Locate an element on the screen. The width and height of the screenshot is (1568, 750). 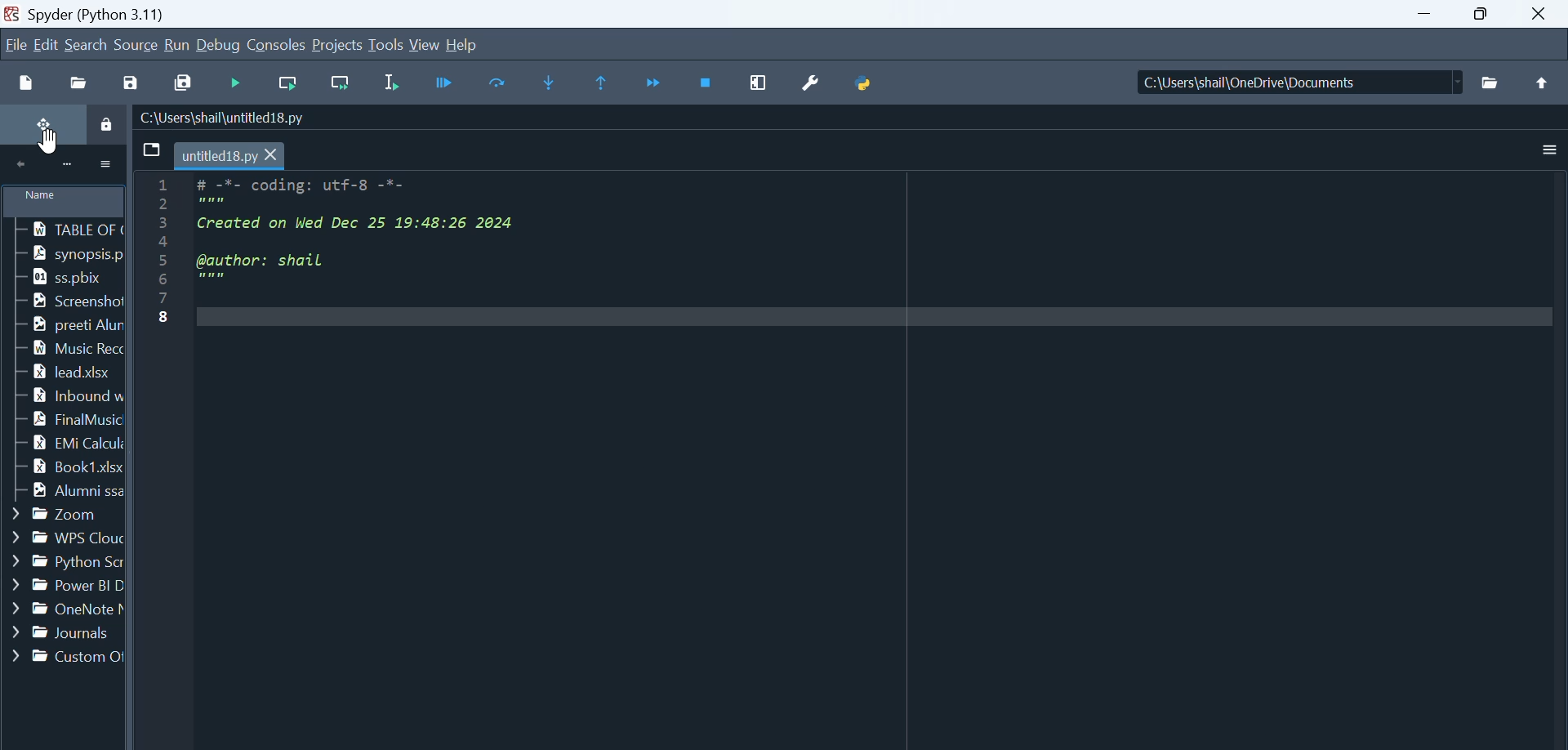
maximise is located at coordinates (1488, 15).